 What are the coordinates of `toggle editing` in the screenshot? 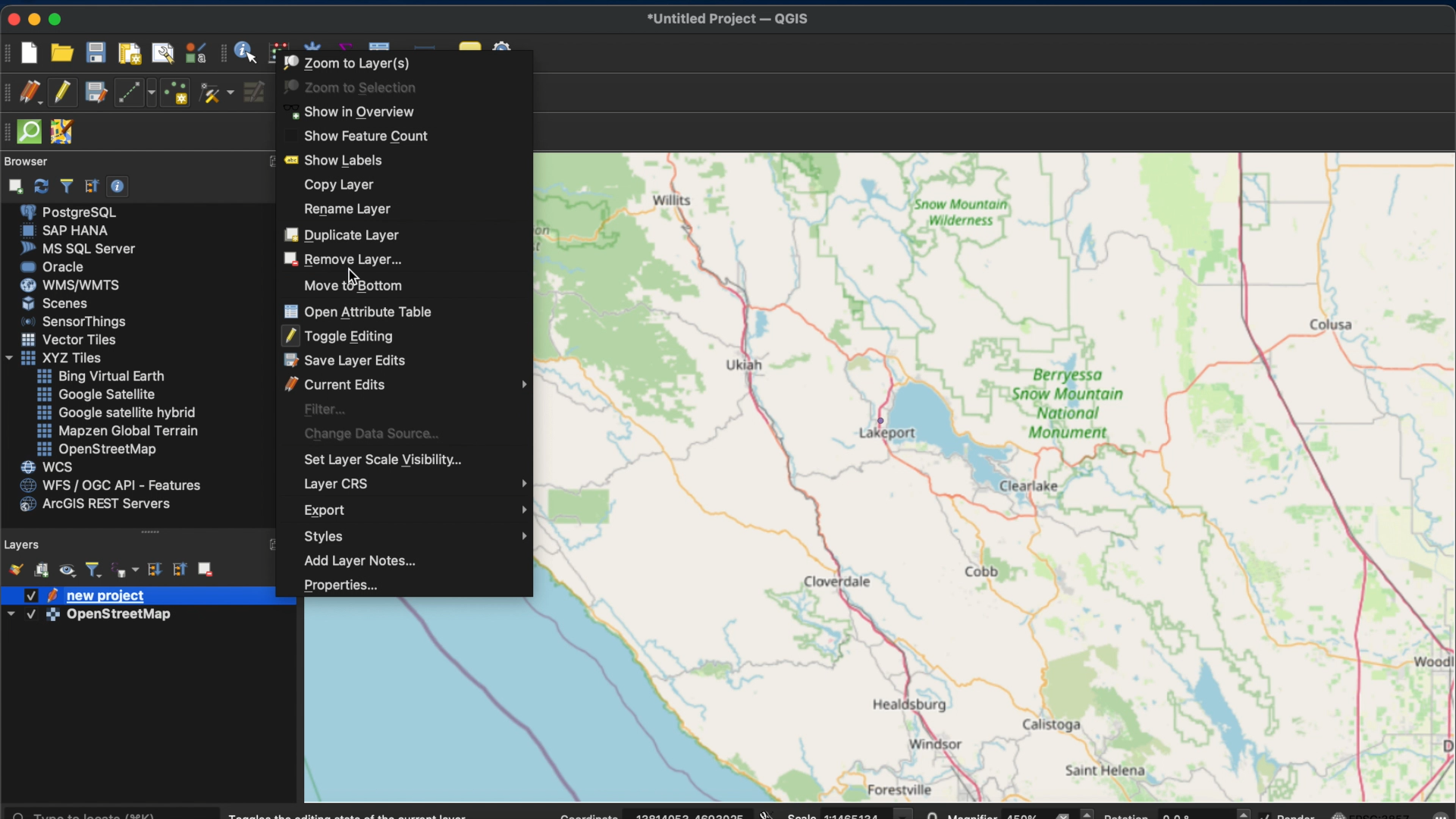 It's located at (62, 94).